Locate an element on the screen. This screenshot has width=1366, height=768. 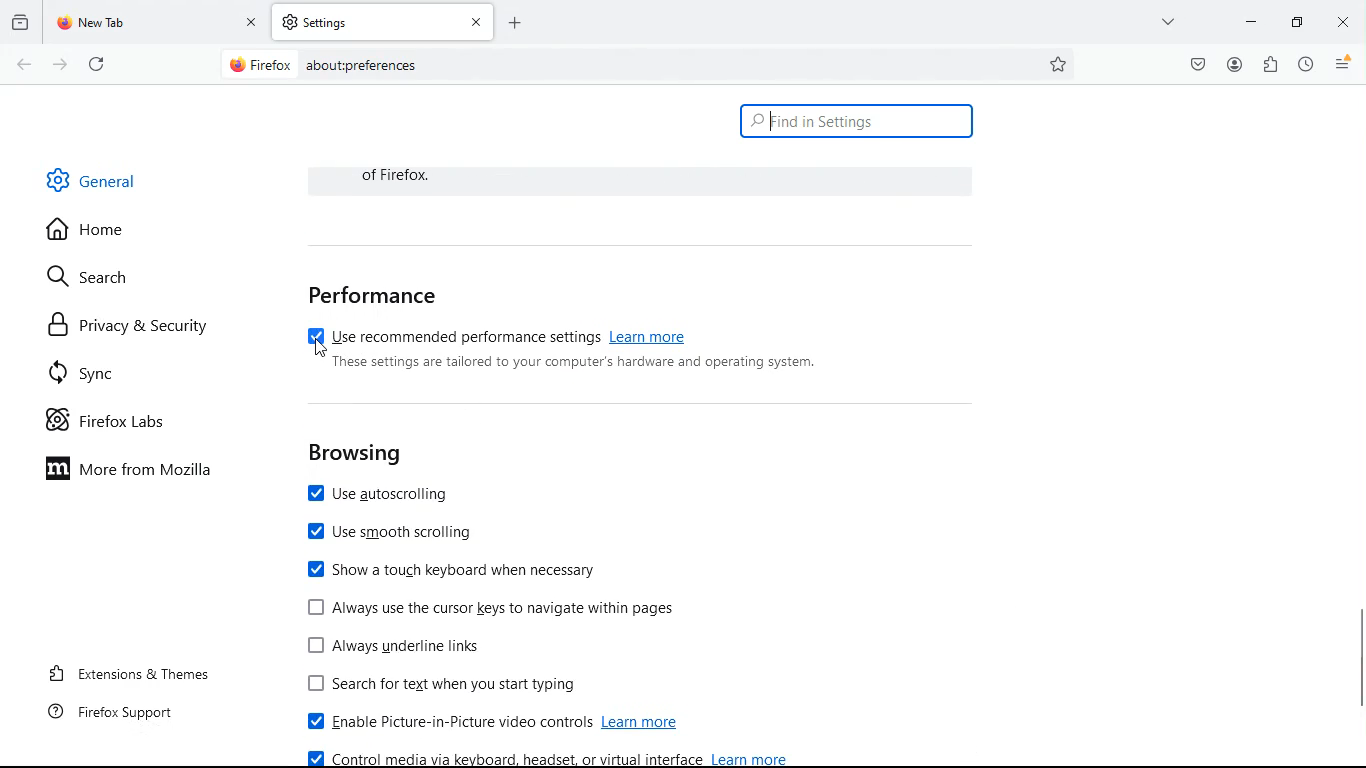
minimize is located at coordinates (1295, 21).